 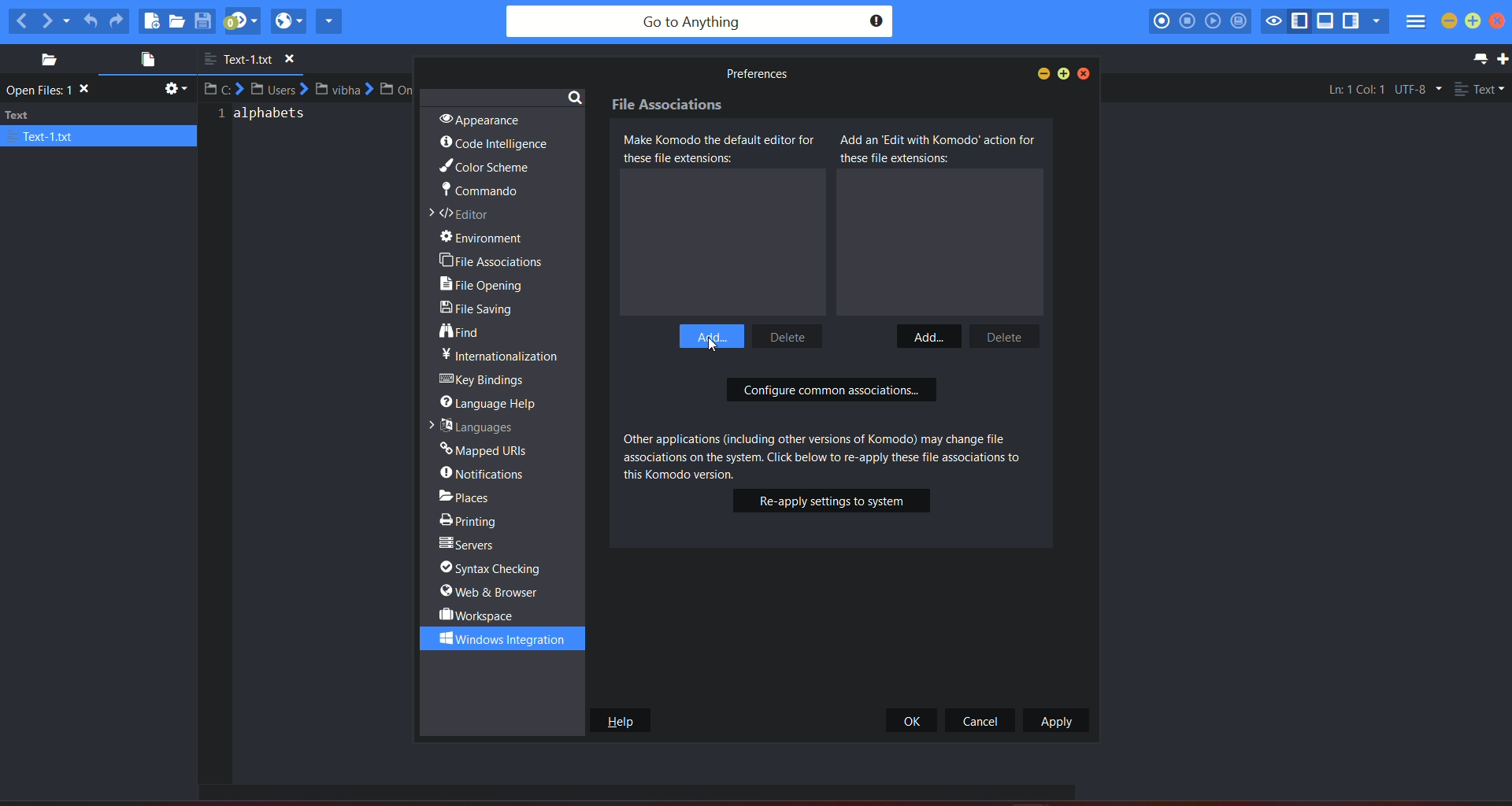 What do you see at coordinates (1417, 89) in the screenshot?
I see `file encoding` at bounding box center [1417, 89].